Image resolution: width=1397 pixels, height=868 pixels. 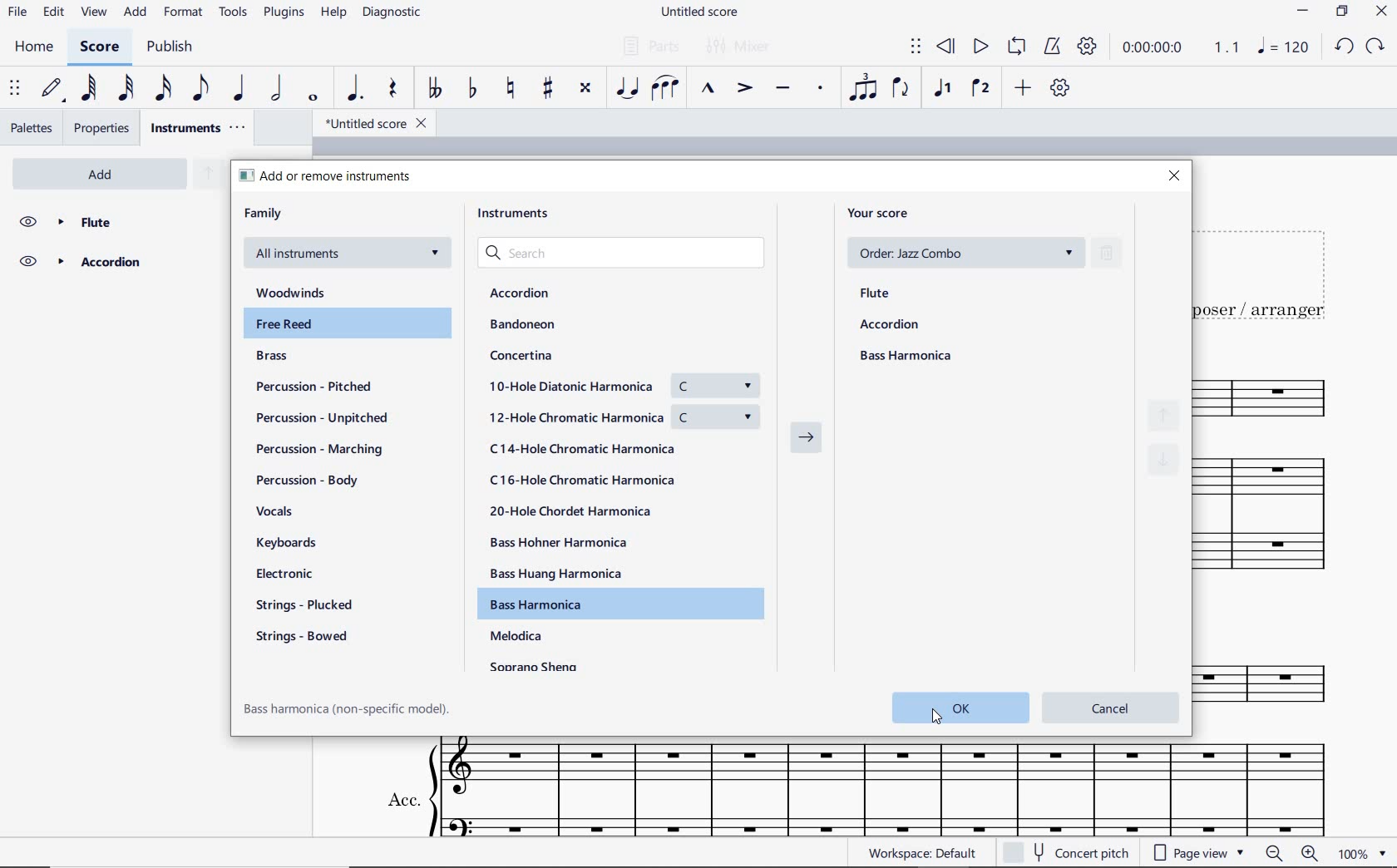 What do you see at coordinates (355, 88) in the screenshot?
I see `augmentation dot` at bounding box center [355, 88].